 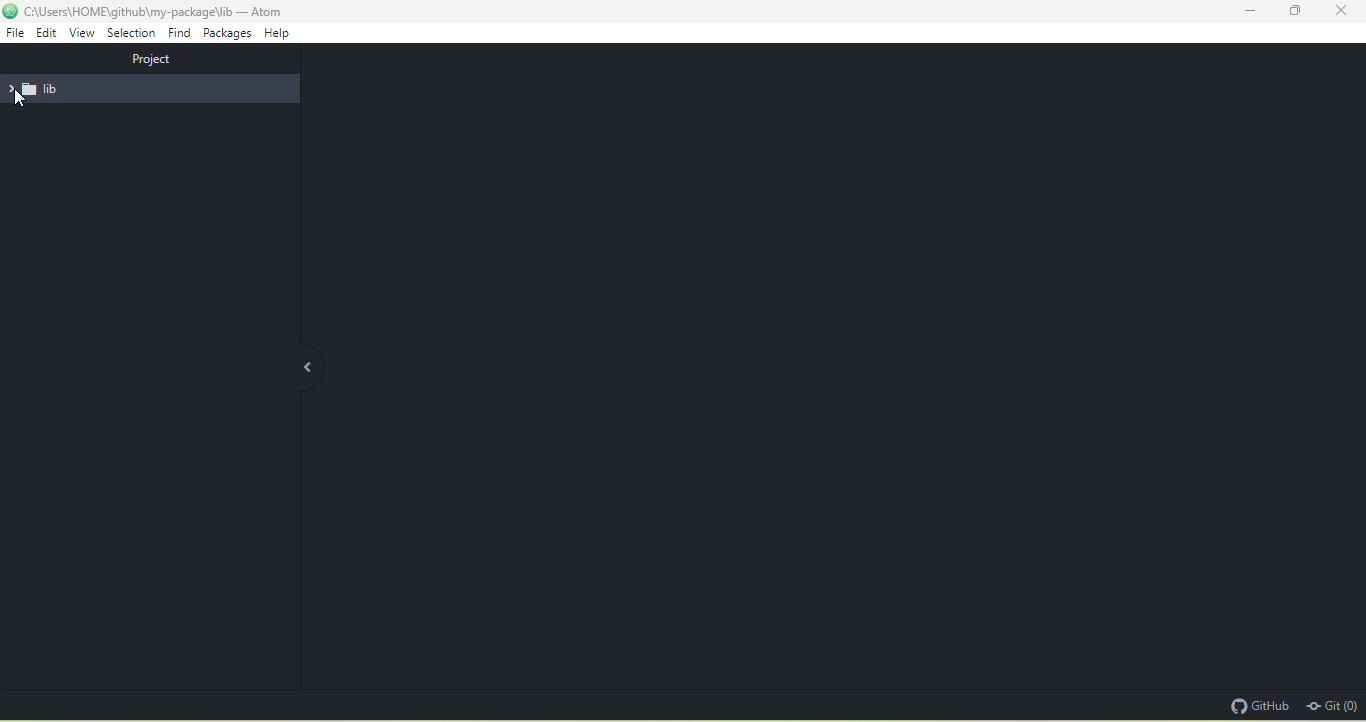 What do you see at coordinates (228, 35) in the screenshot?
I see `packages` at bounding box center [228, 35].